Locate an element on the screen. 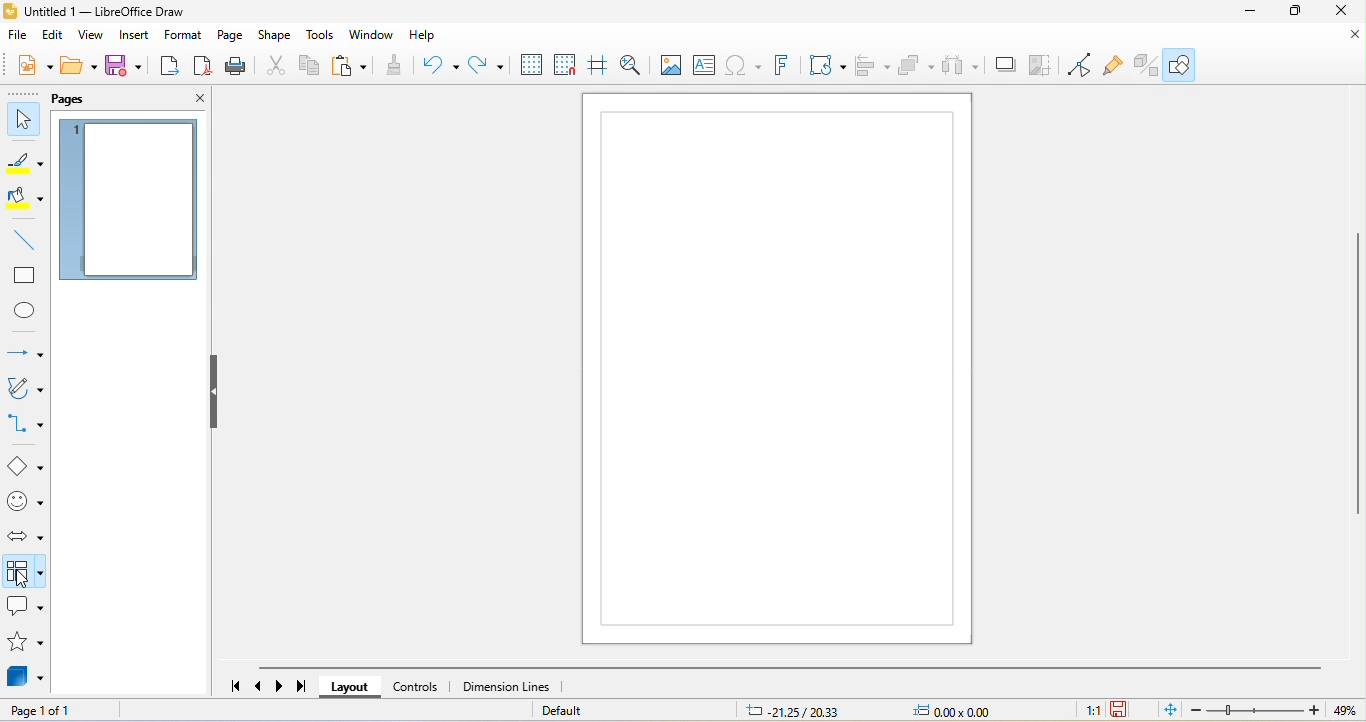  export is located at coordinates (169, 66).